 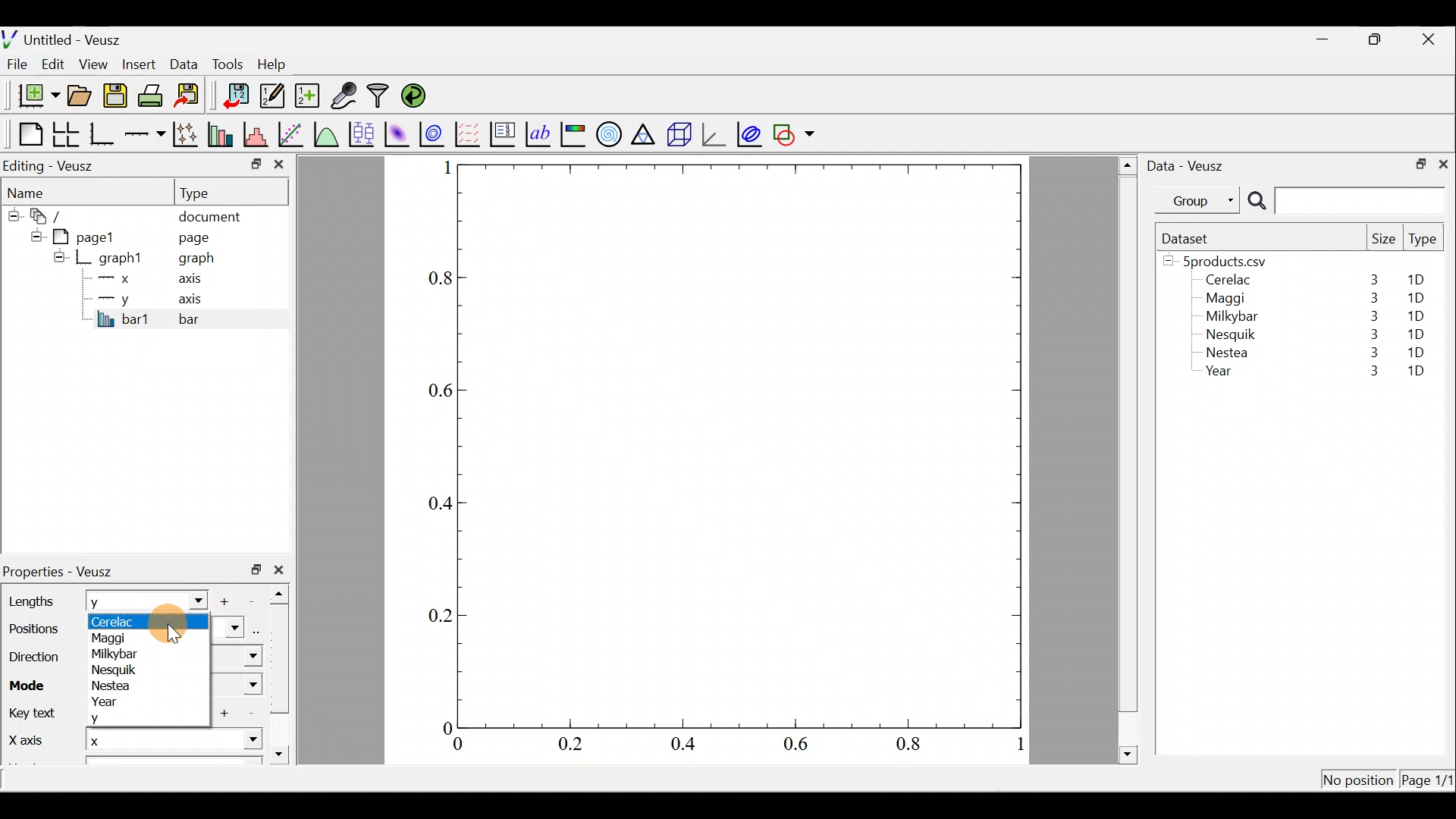 I want to click on x-axis dropdown, so click(x=237, y=746).